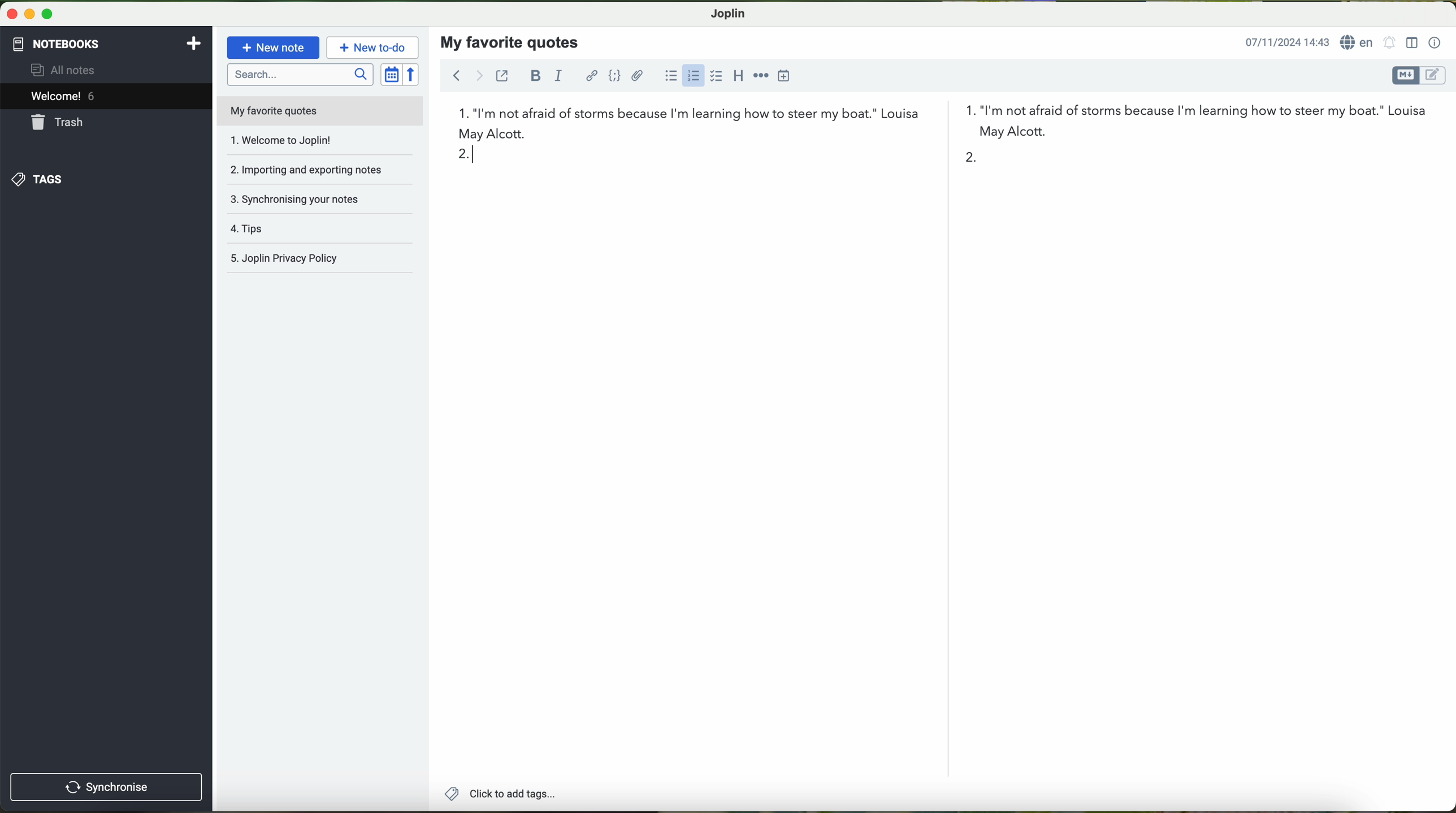  What do you see at coordinates (503, 76) in the screenshot?
I see `toggle external editing` at bounding box center [503, 76].